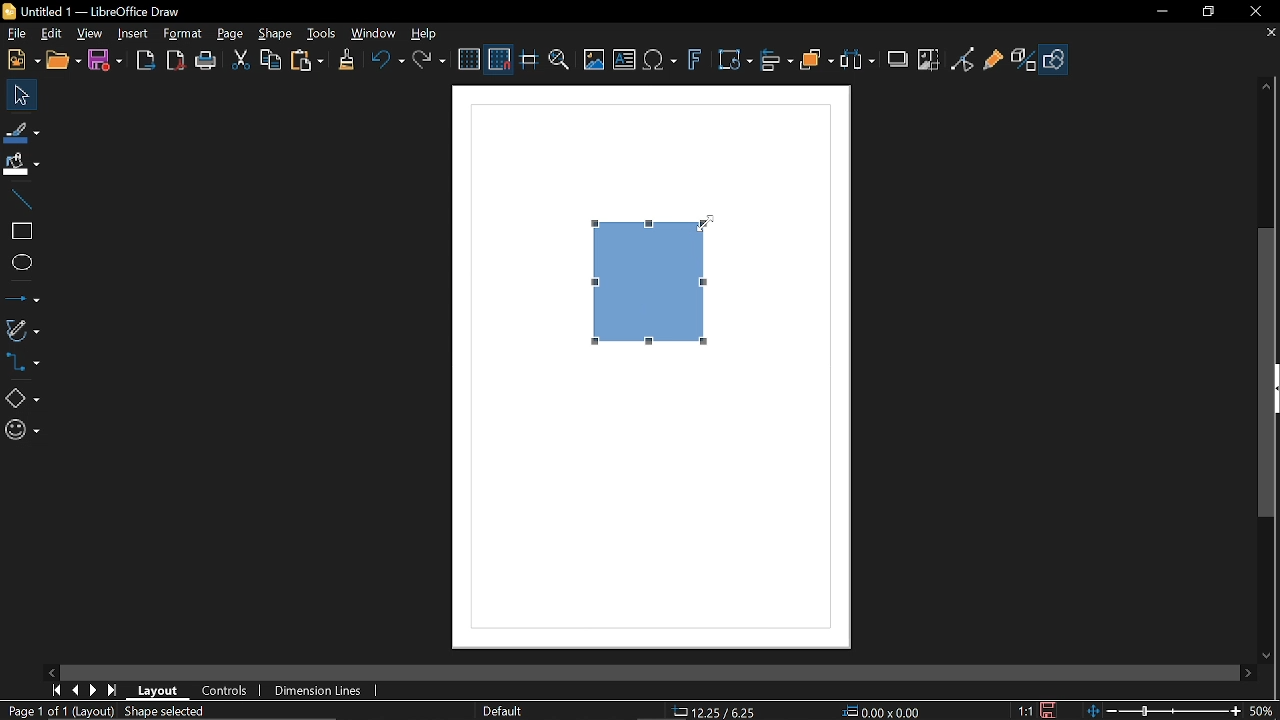 The image size is (1280, 720). I want to click on Arrow, so click(22, 296).